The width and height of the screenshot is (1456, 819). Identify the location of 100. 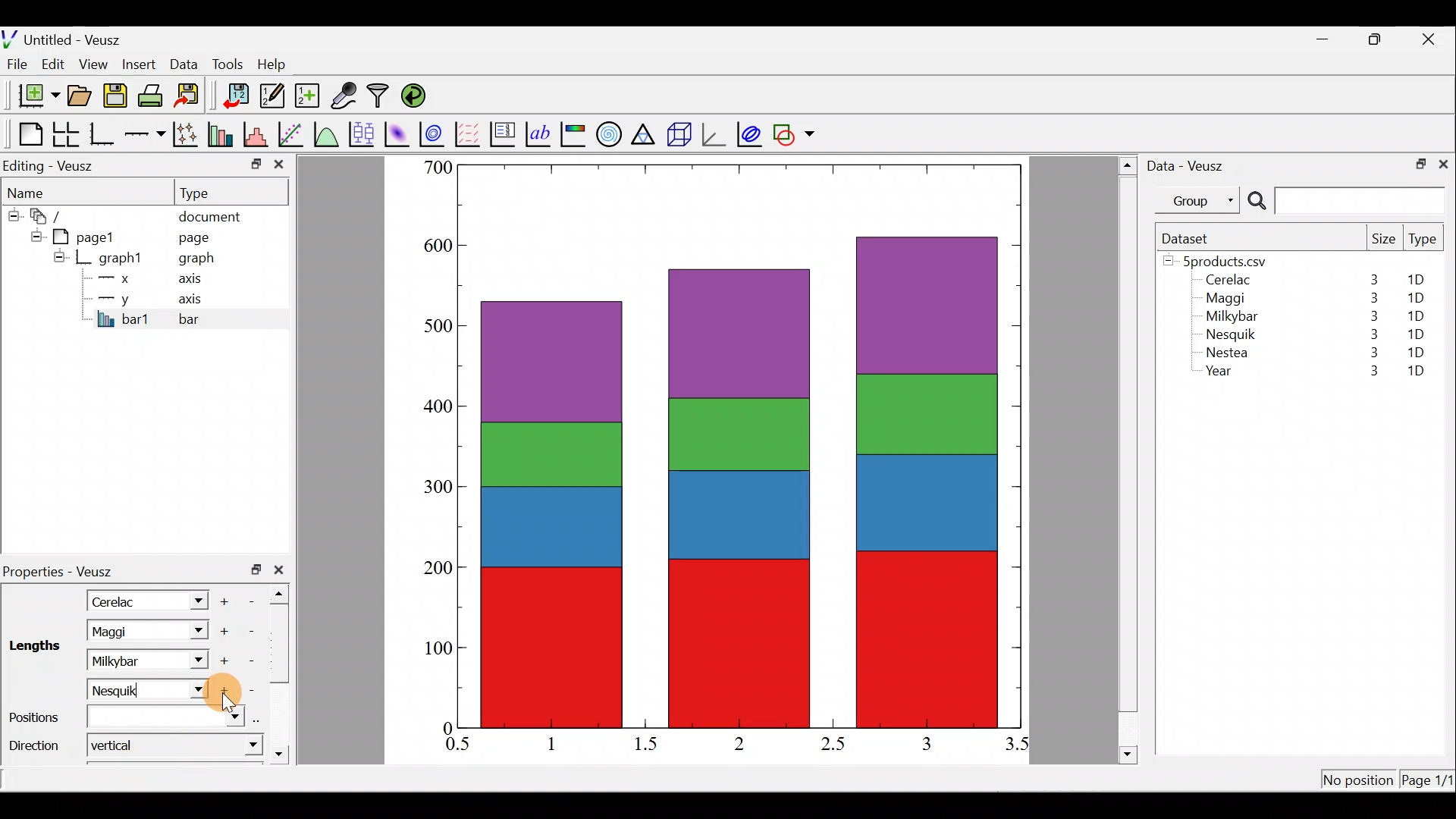
(433, 651).